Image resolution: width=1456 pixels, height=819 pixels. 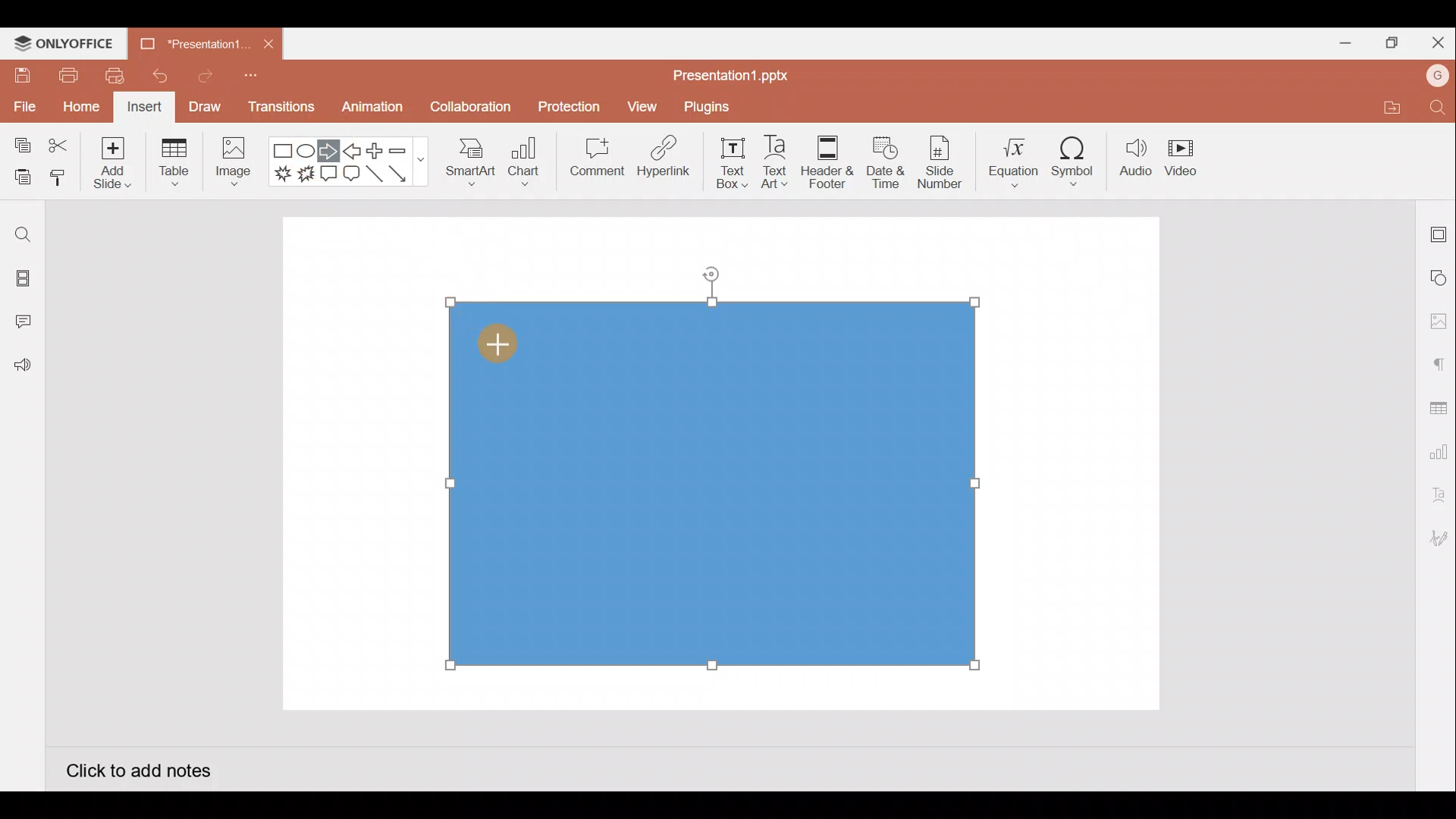 I want to click on Chart settings, so click(x=1436, y=449).